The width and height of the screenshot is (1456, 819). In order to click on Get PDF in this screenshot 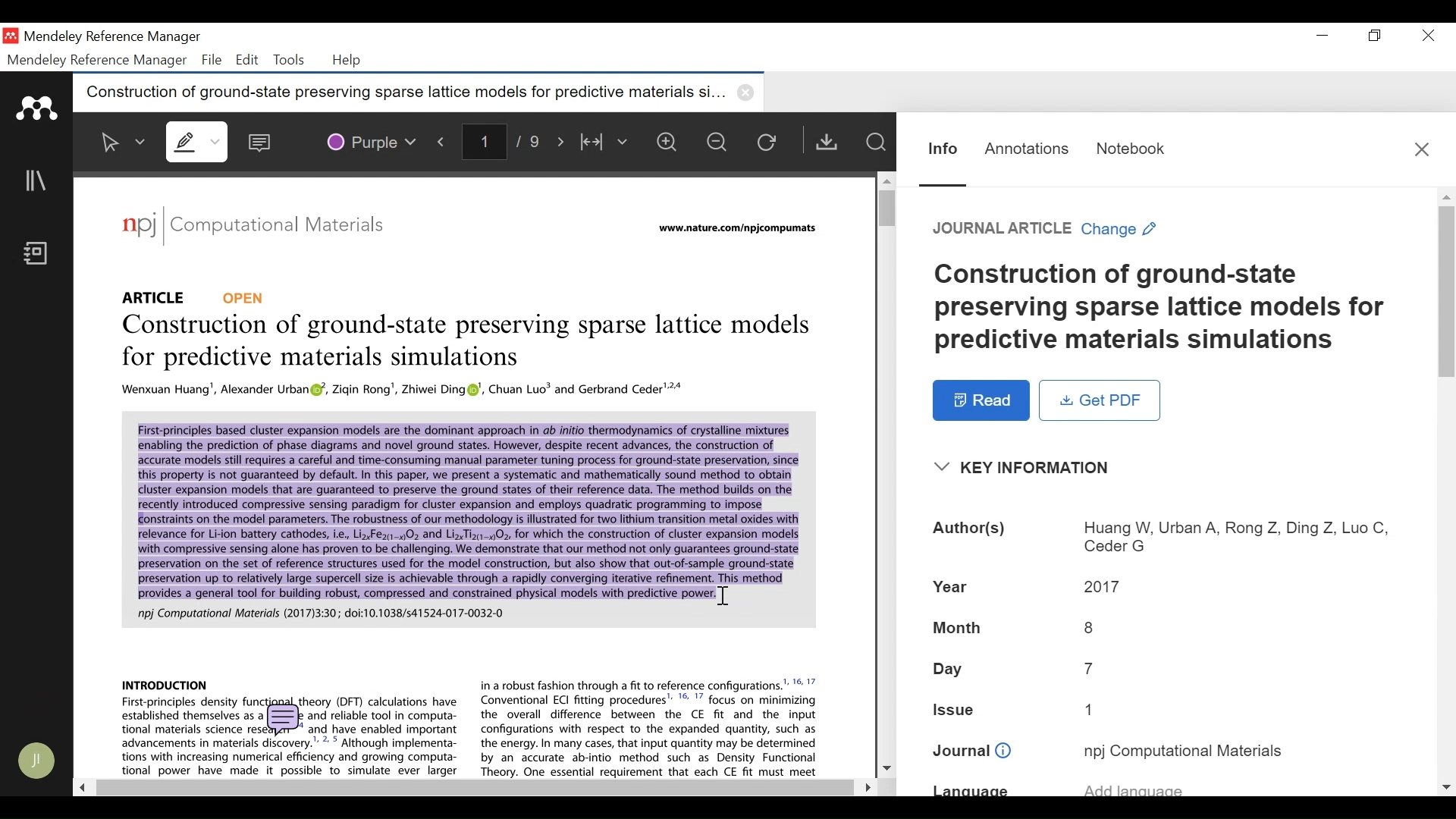, I will do `click(826, 141)`.